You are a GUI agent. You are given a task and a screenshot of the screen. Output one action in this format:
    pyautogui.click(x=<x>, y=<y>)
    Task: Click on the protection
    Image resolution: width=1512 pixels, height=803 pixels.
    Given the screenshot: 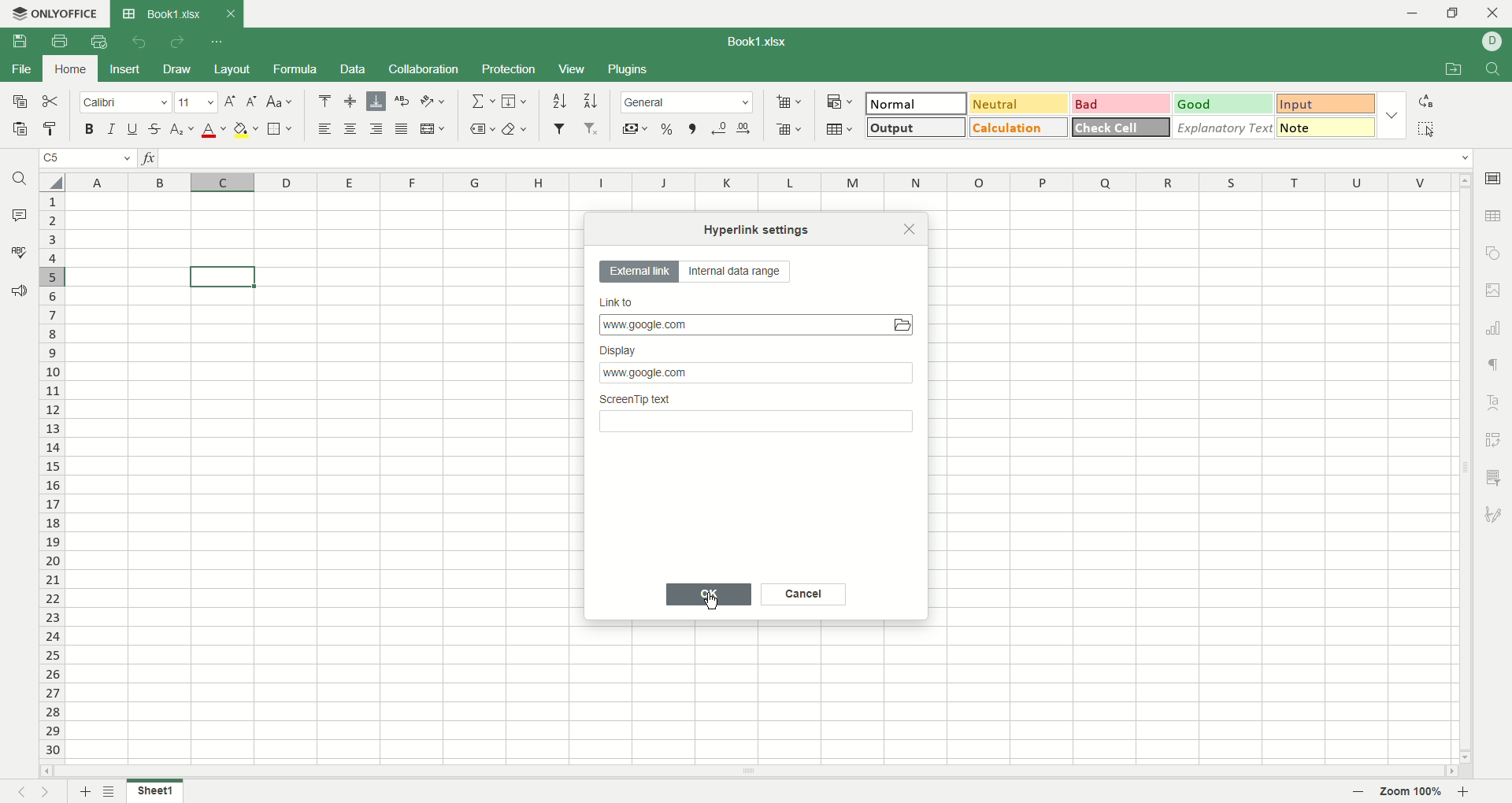 What is the action you would take?
    pyautogui.click(x=510, y=68)
    